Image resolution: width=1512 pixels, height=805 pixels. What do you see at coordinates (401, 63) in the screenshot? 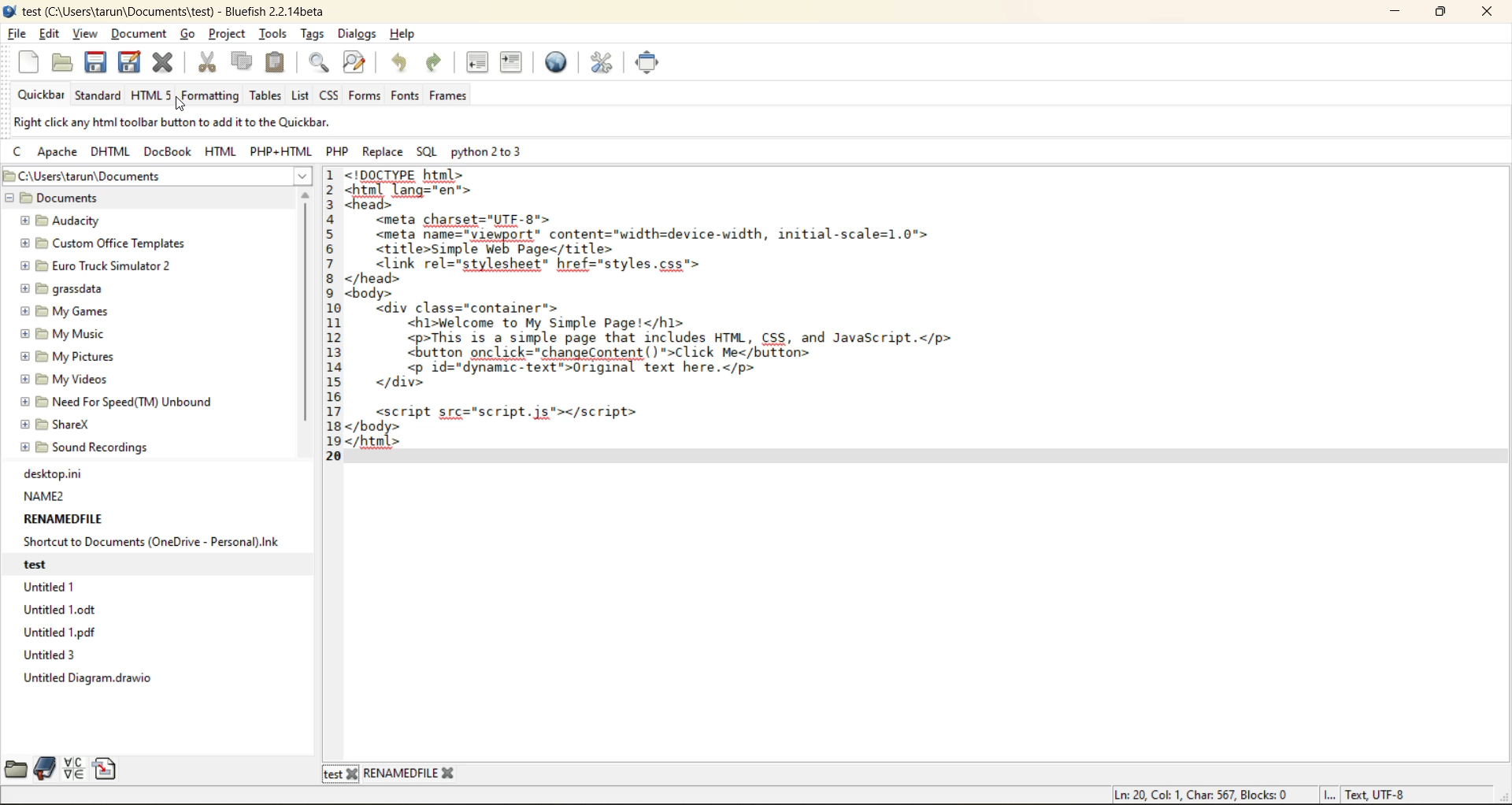
I see `undo` at bounding box center [401, 63].